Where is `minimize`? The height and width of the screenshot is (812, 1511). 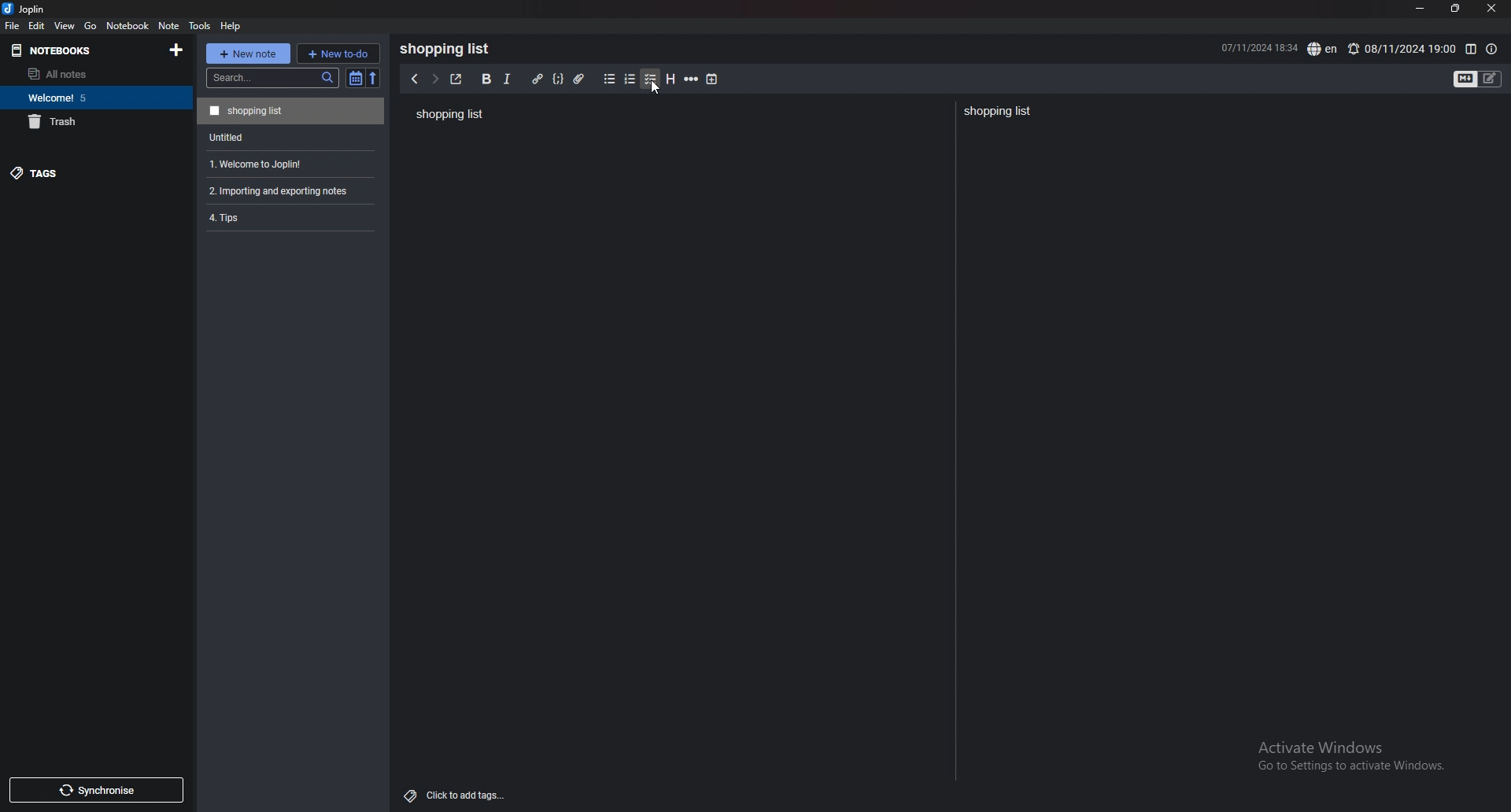
minimize is located at coordinates (1420, 9).